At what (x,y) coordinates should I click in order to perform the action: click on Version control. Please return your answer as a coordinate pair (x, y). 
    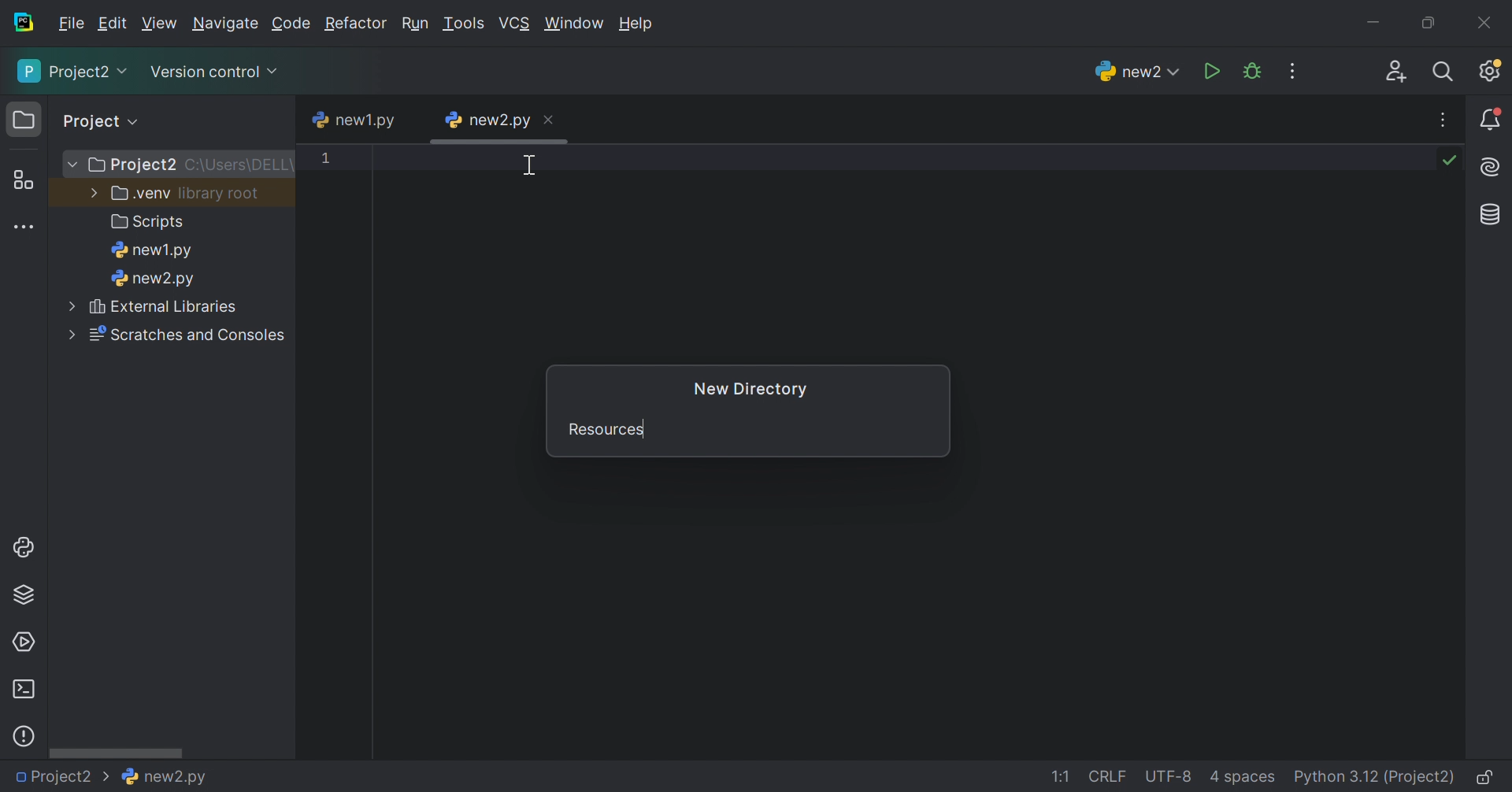
    Looking at the image, I should click on (216, 74).